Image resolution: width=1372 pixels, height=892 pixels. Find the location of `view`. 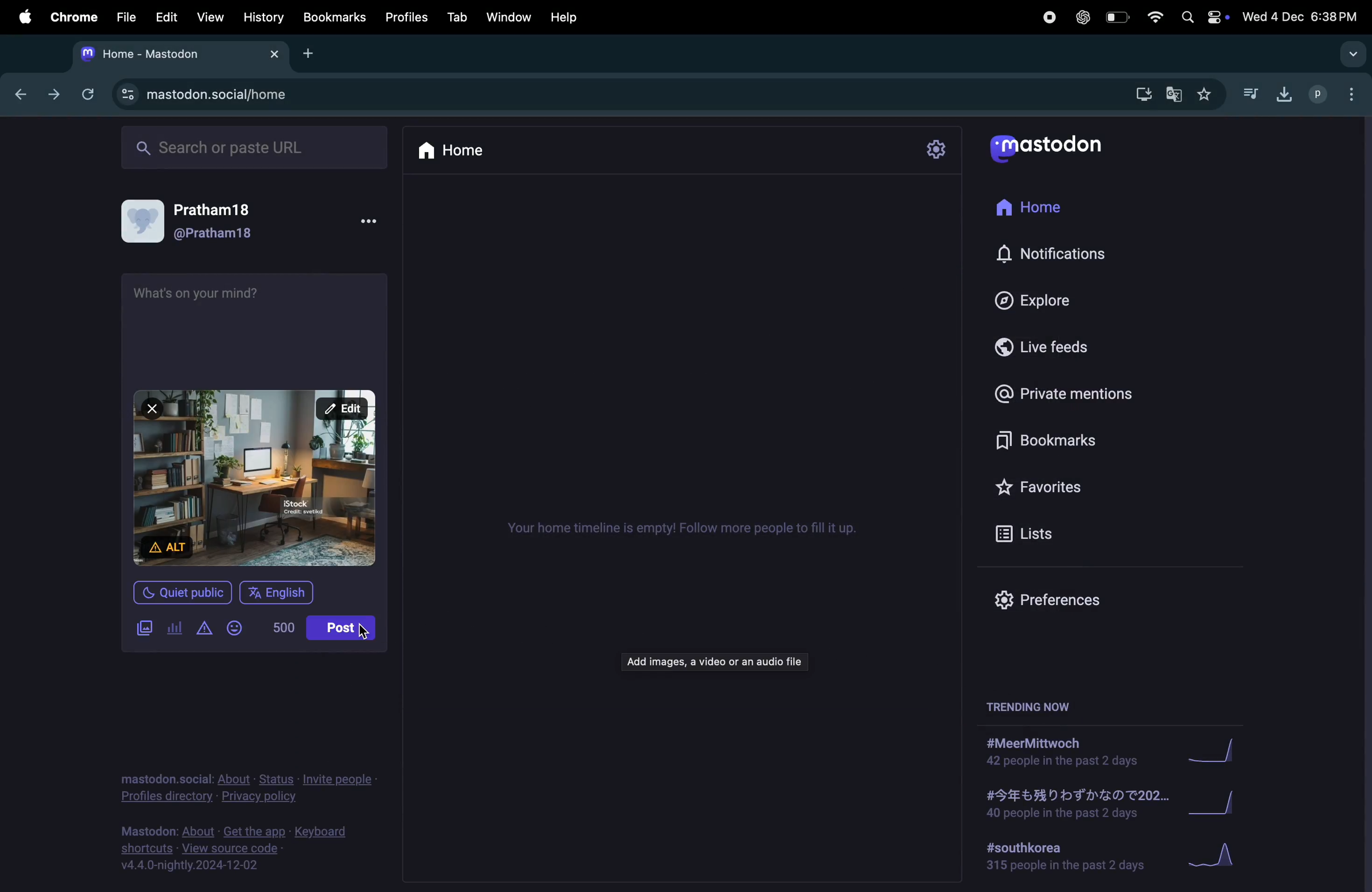

view is located at coordinates (210, 17).